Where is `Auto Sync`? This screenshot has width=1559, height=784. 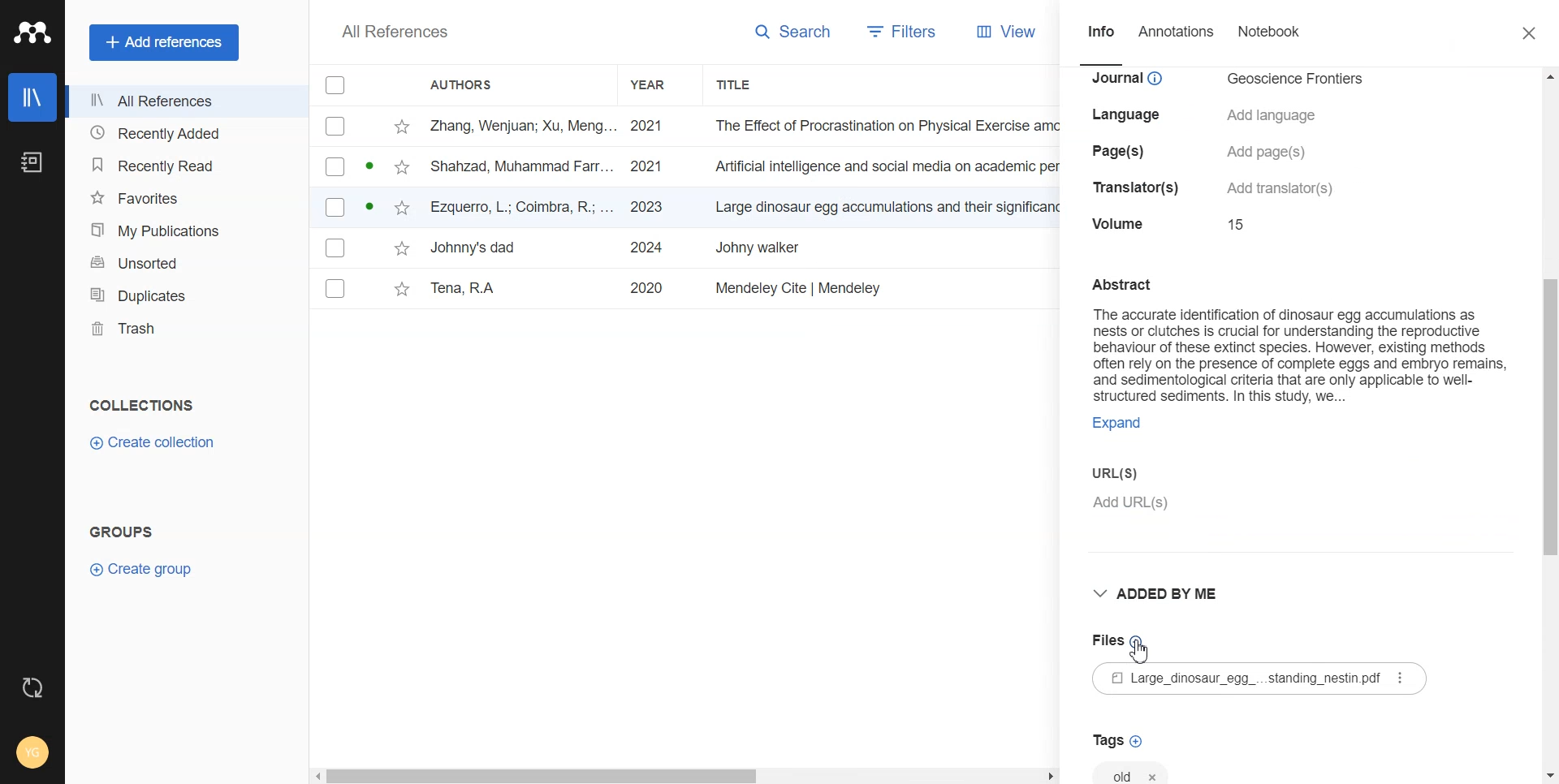 Auto Sync is located at coordinates (32, 687).